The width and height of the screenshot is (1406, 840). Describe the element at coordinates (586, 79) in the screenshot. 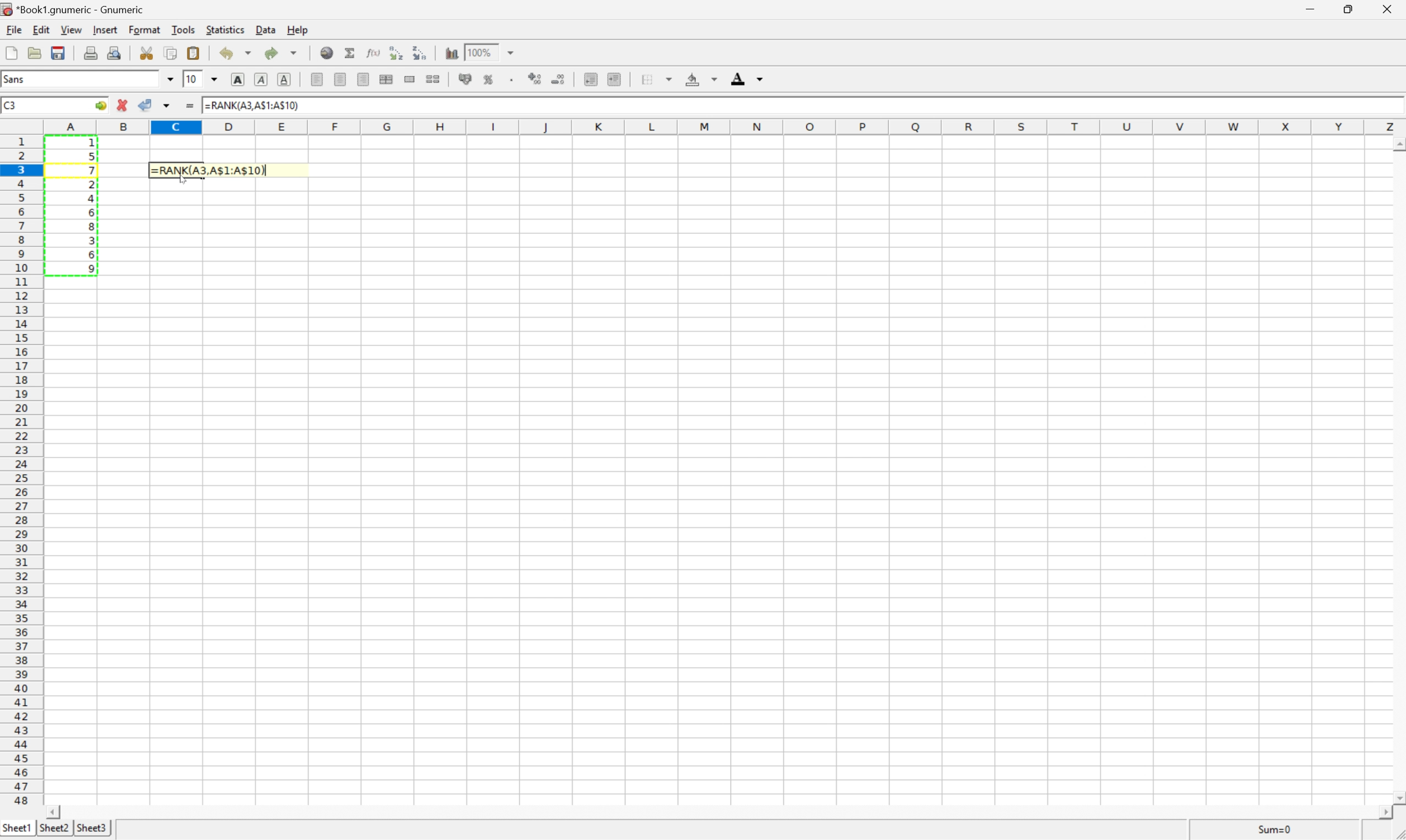

I see `decrease indent` at that location.